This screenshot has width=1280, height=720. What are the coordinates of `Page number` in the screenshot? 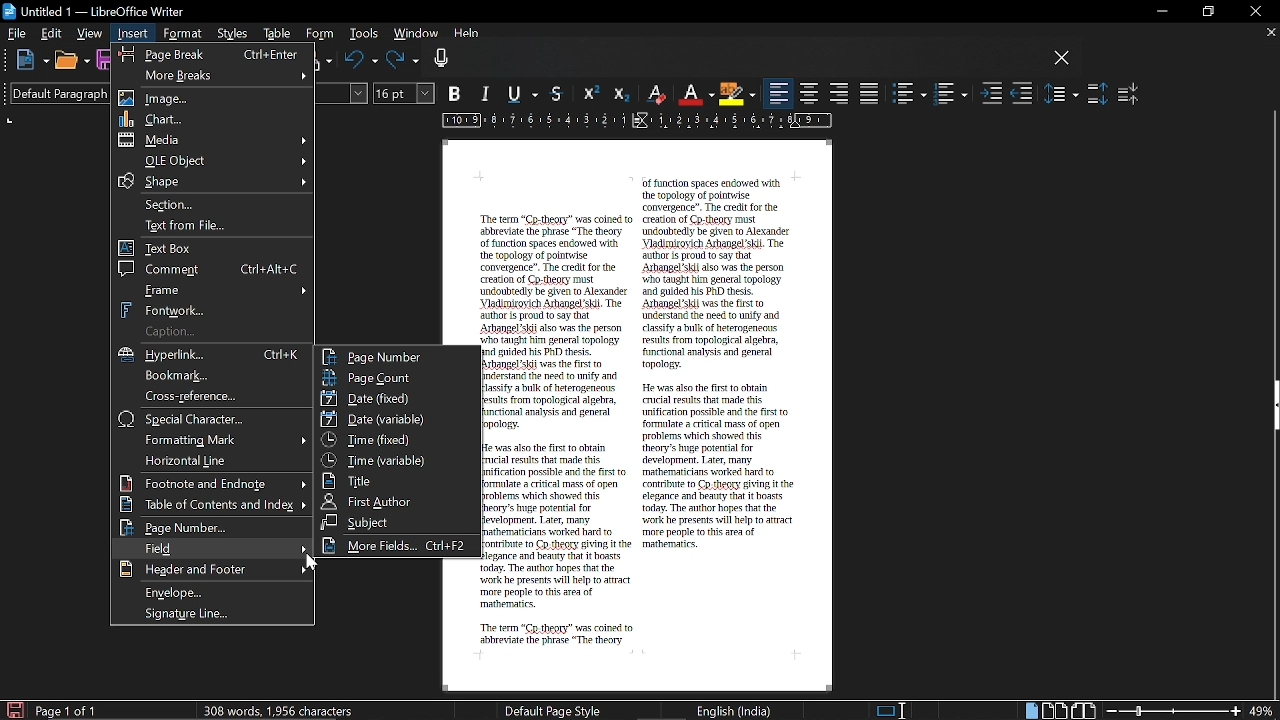 It's located at (397, 356).